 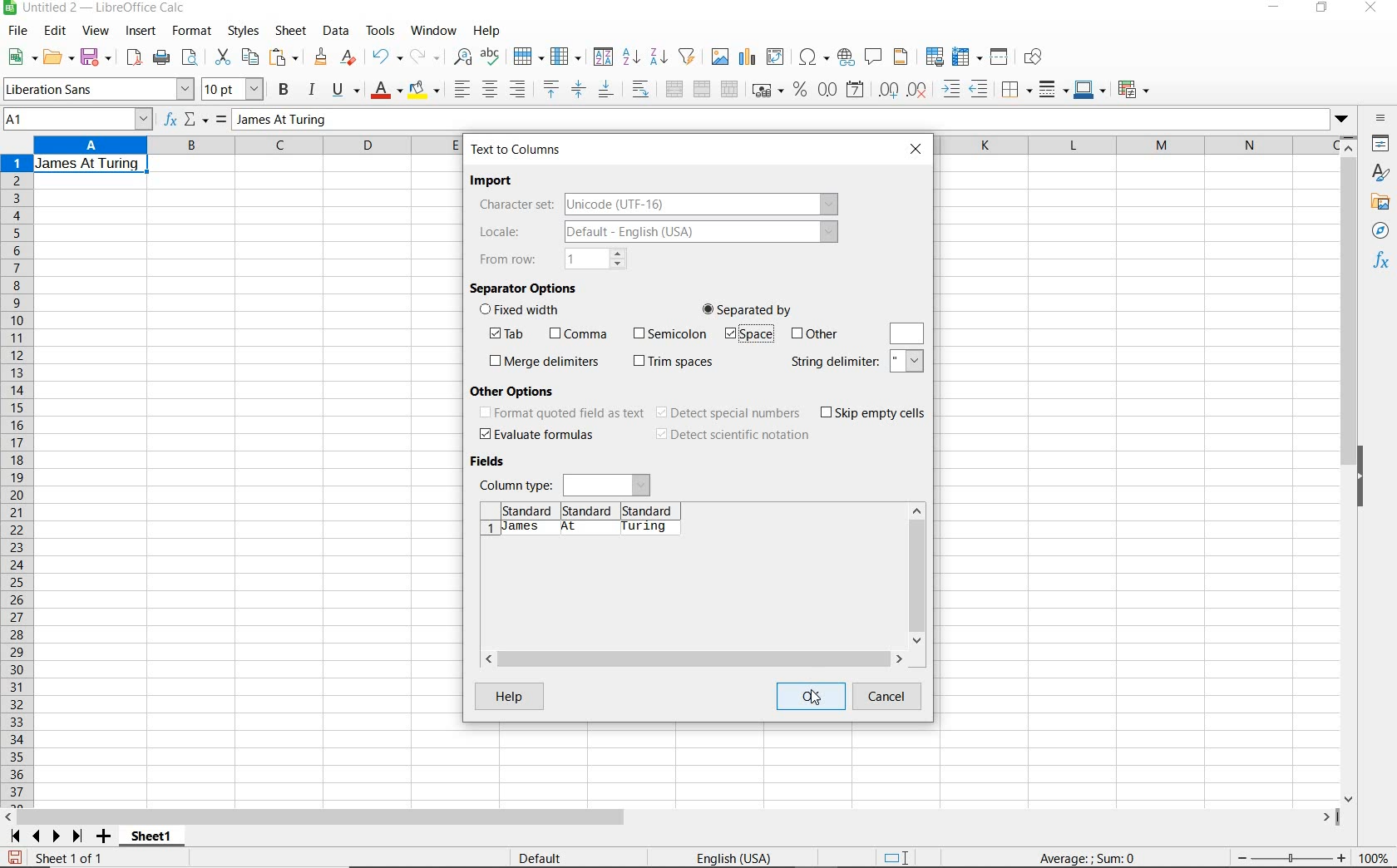 What do you see at coordinates (887, 698) in the screenshot?
I see `Cancel` at bounding box center [887, 698].